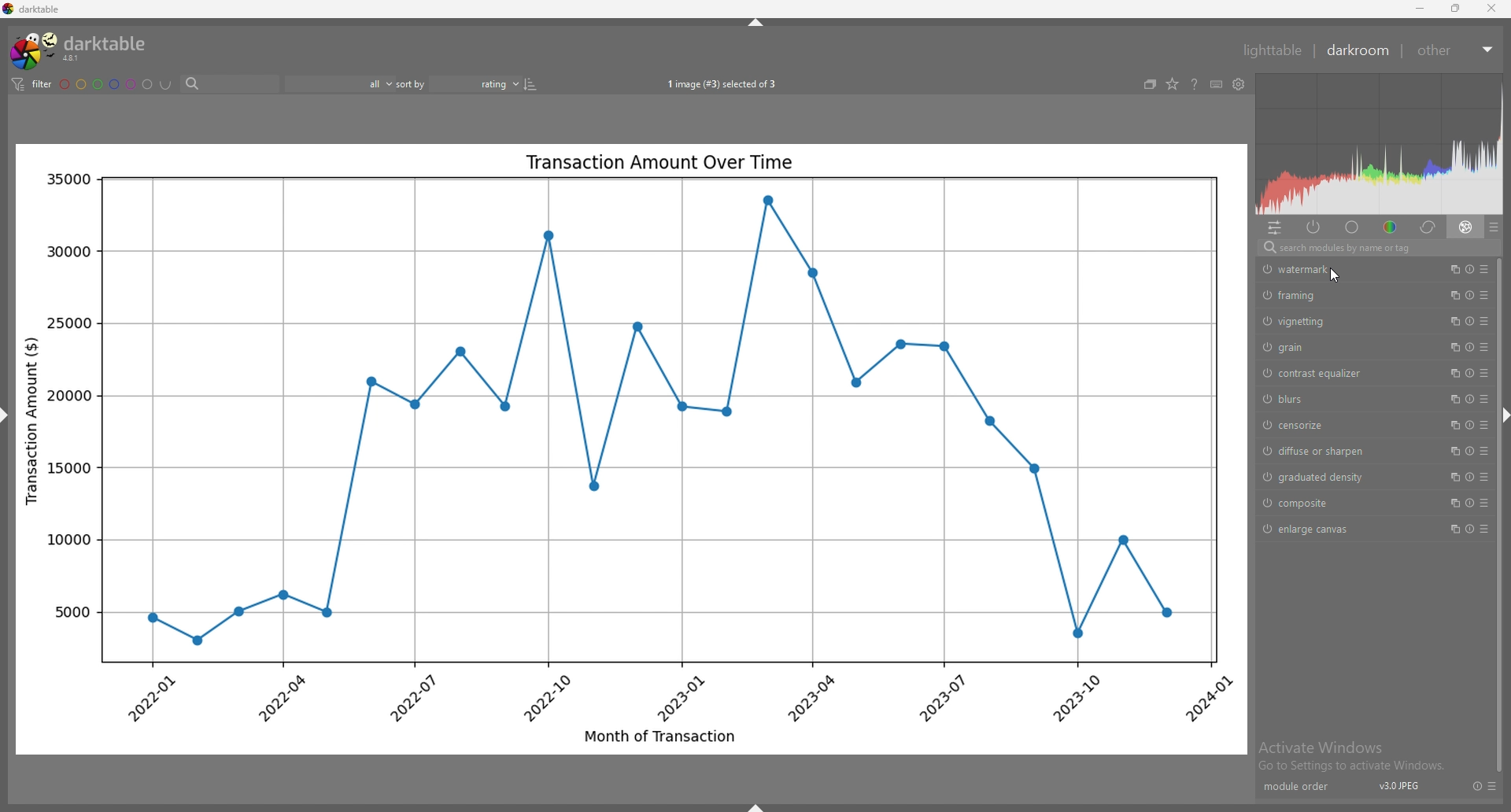  What do you see at coordinates (1471, 503) in the screenshot?
I see `reset` at bounding box center [1471, 503].